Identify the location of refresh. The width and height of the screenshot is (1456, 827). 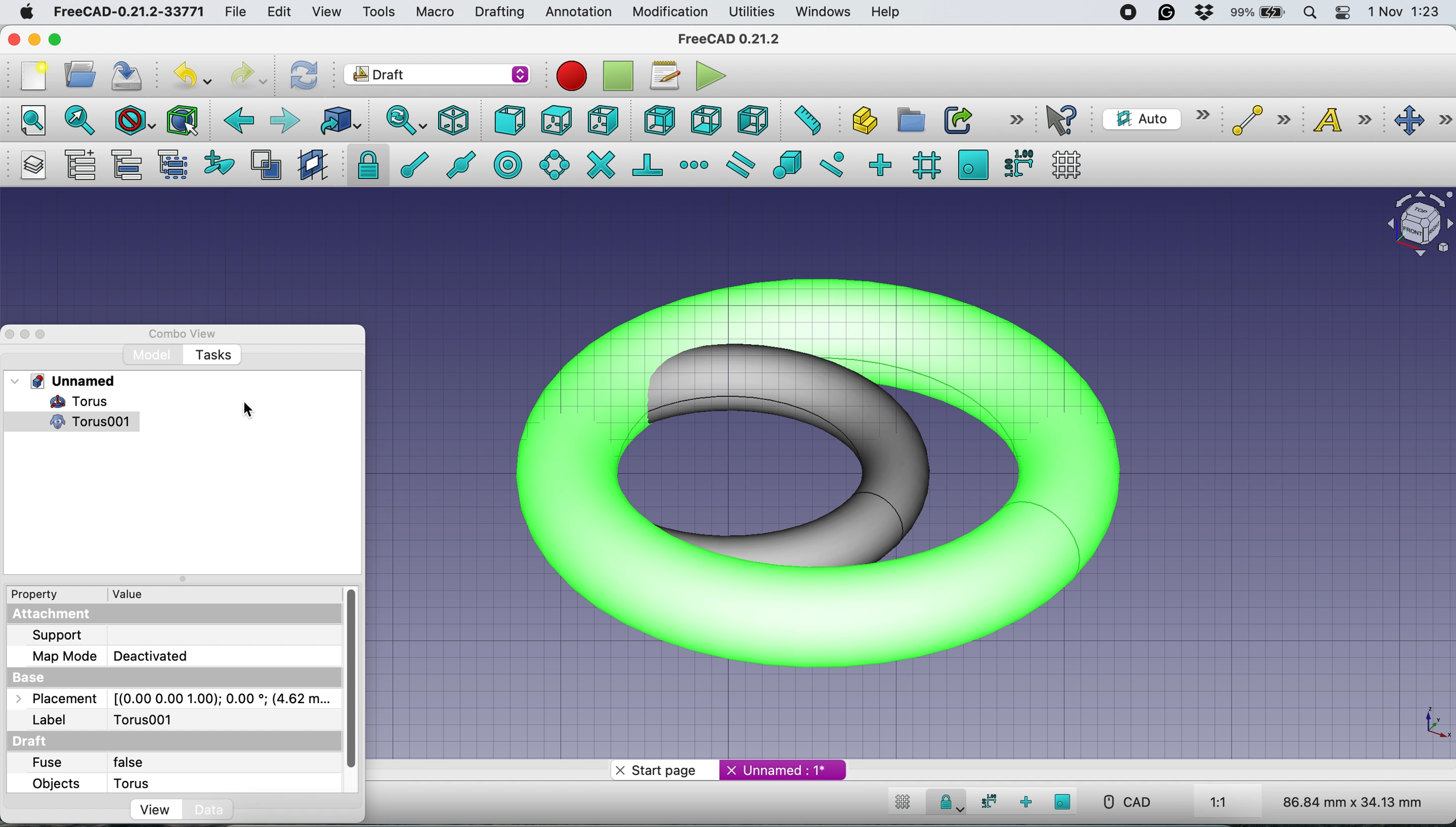
(305, 76).